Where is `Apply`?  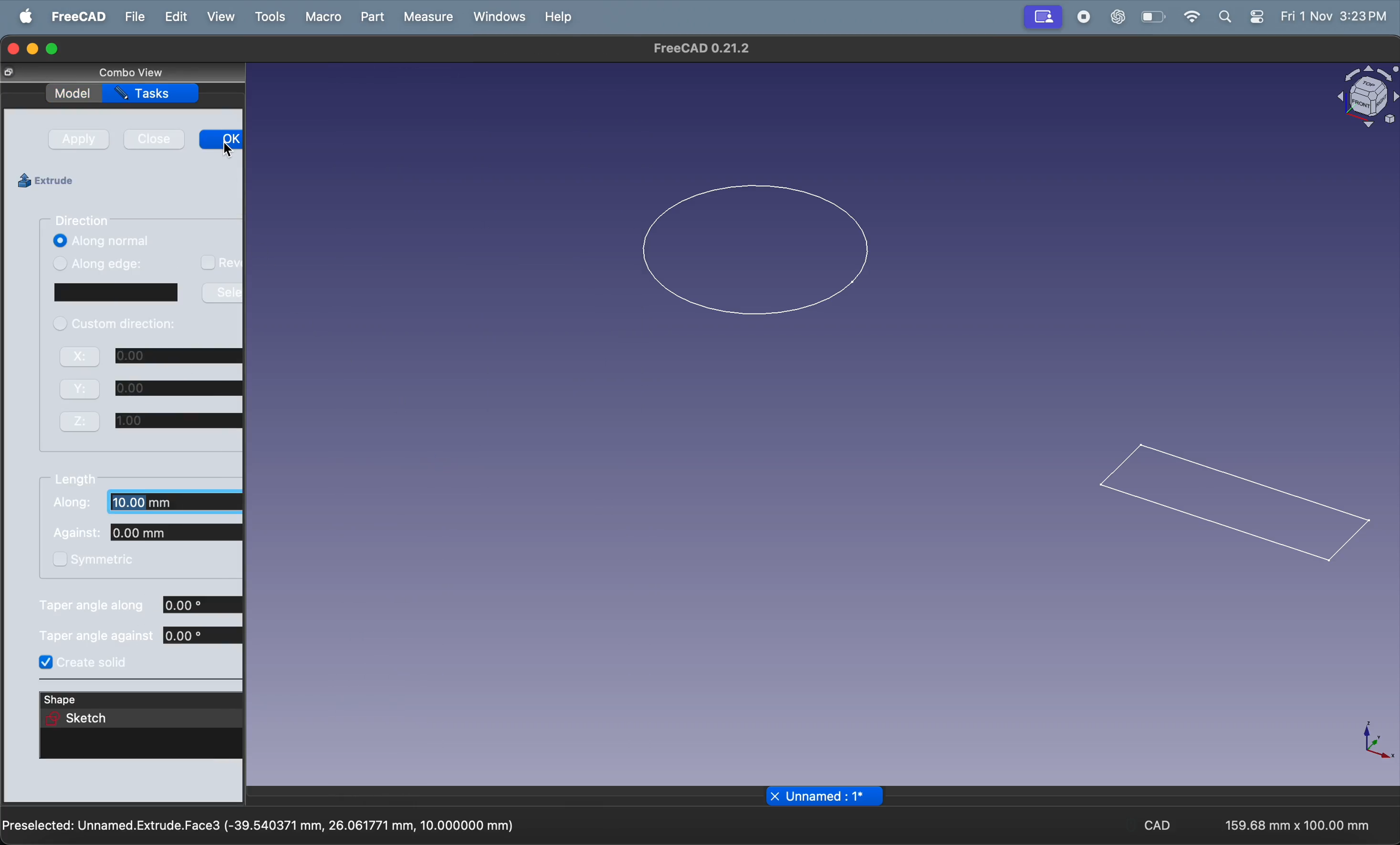
Apply is located at coordinates (77, 140).